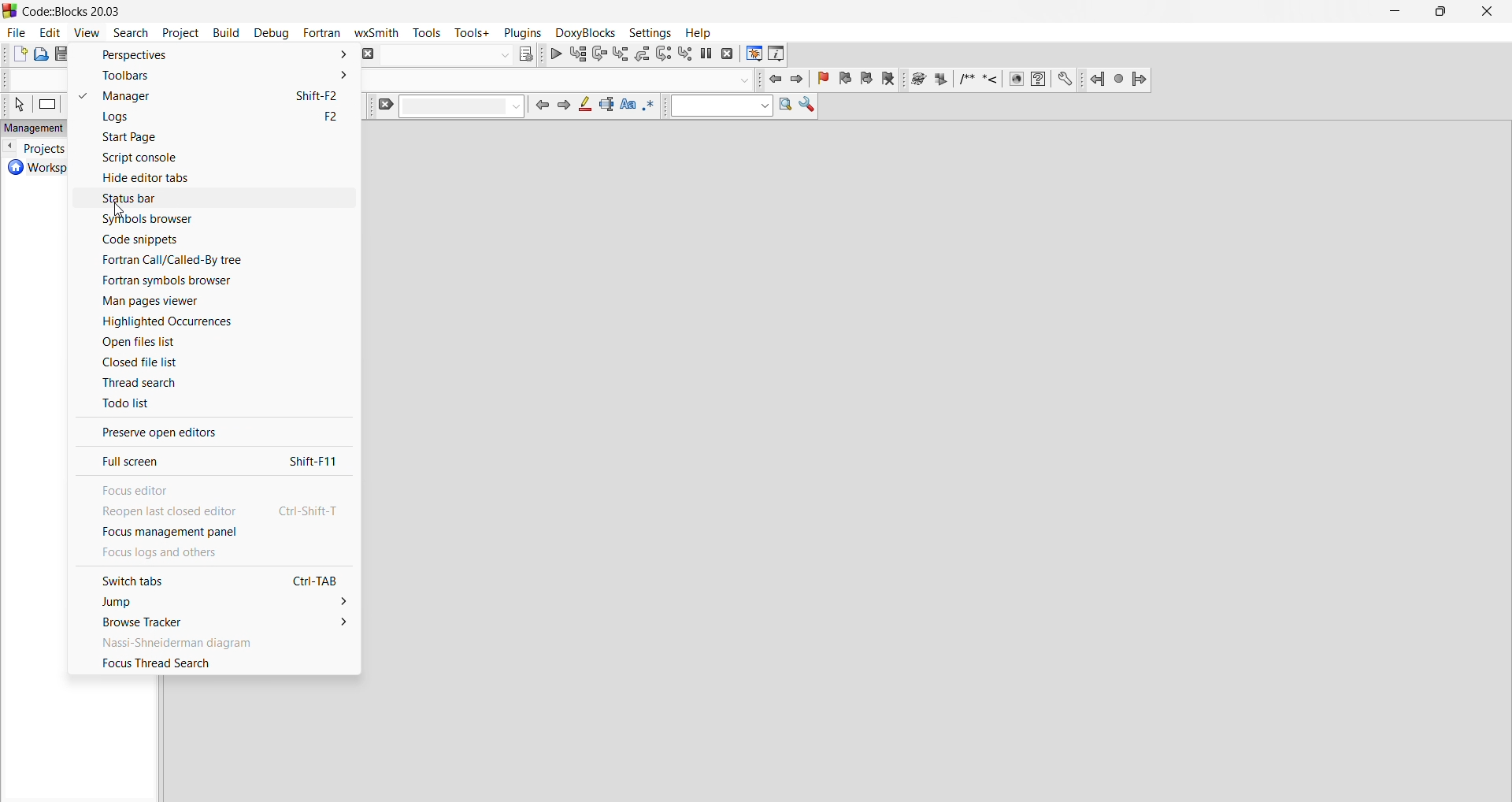  Describe the element at coordinates (649, 32) in the screenshot. I see `settings` at that location.